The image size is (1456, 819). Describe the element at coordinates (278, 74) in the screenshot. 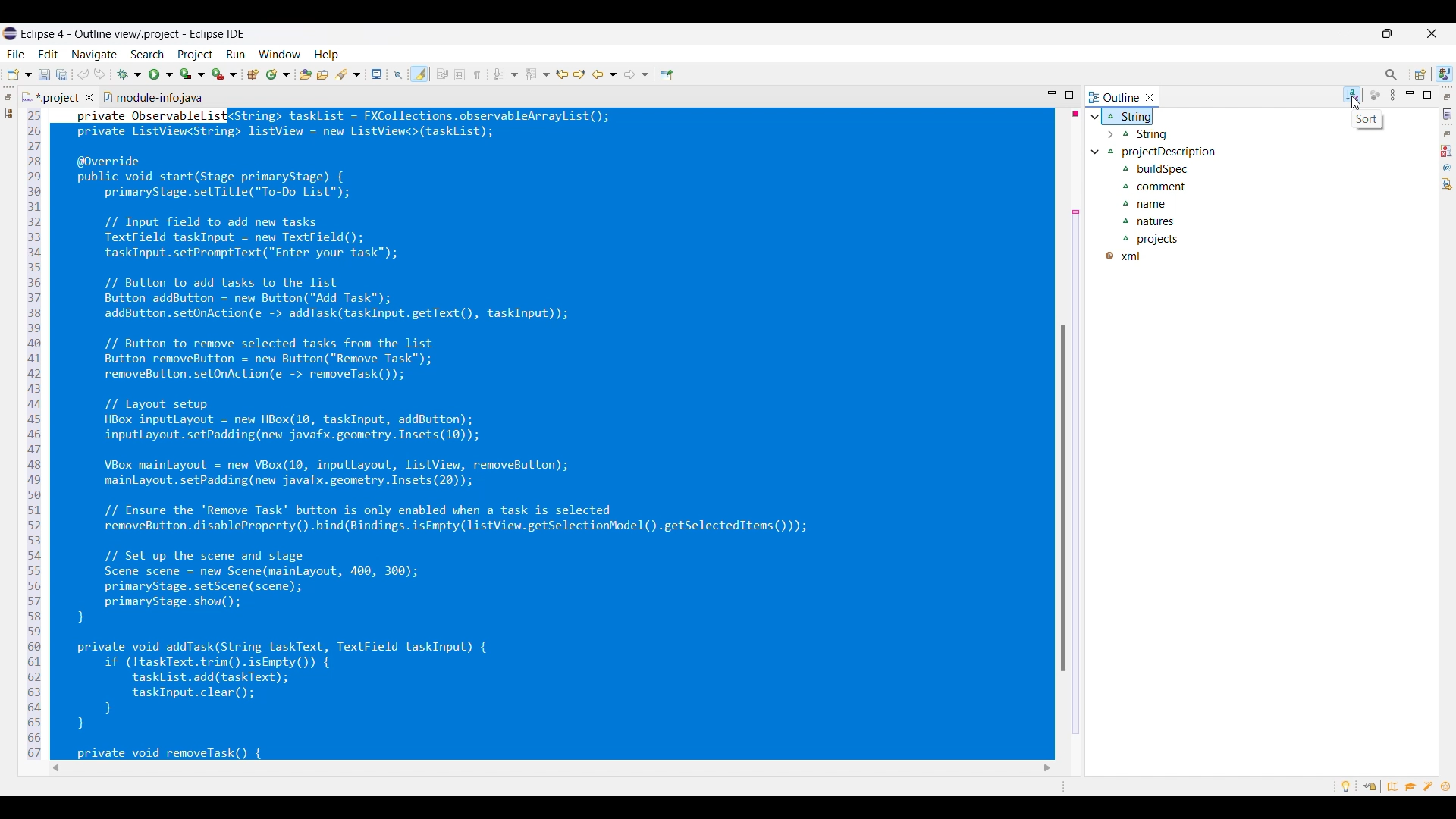

I see `New Java class options` at that location.